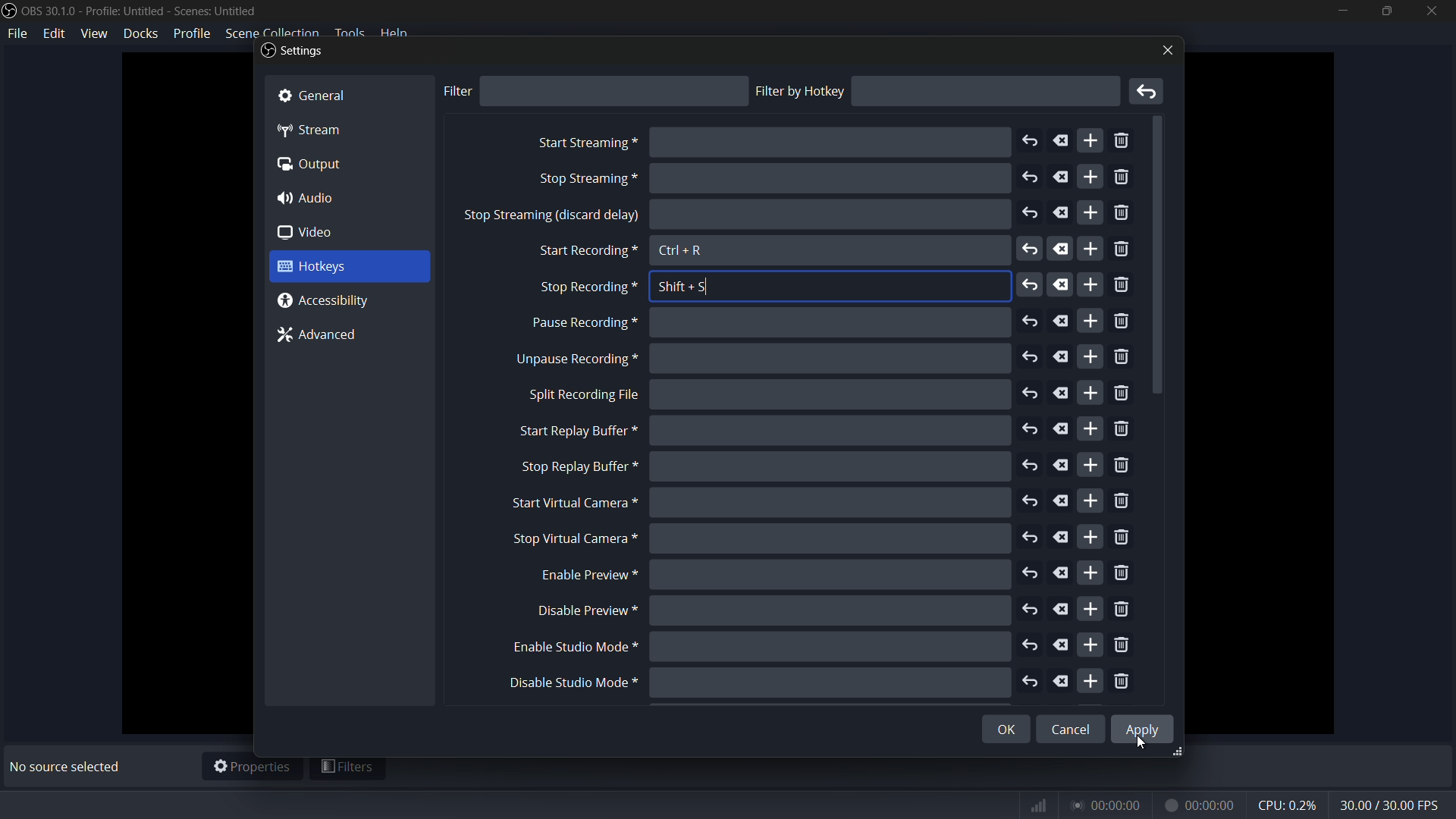 This screenshot has width=1456, height=819. What do you see at coordinates (1121, 359) in the screenshot?
I see `remove` at bounding box center [1121, 359].